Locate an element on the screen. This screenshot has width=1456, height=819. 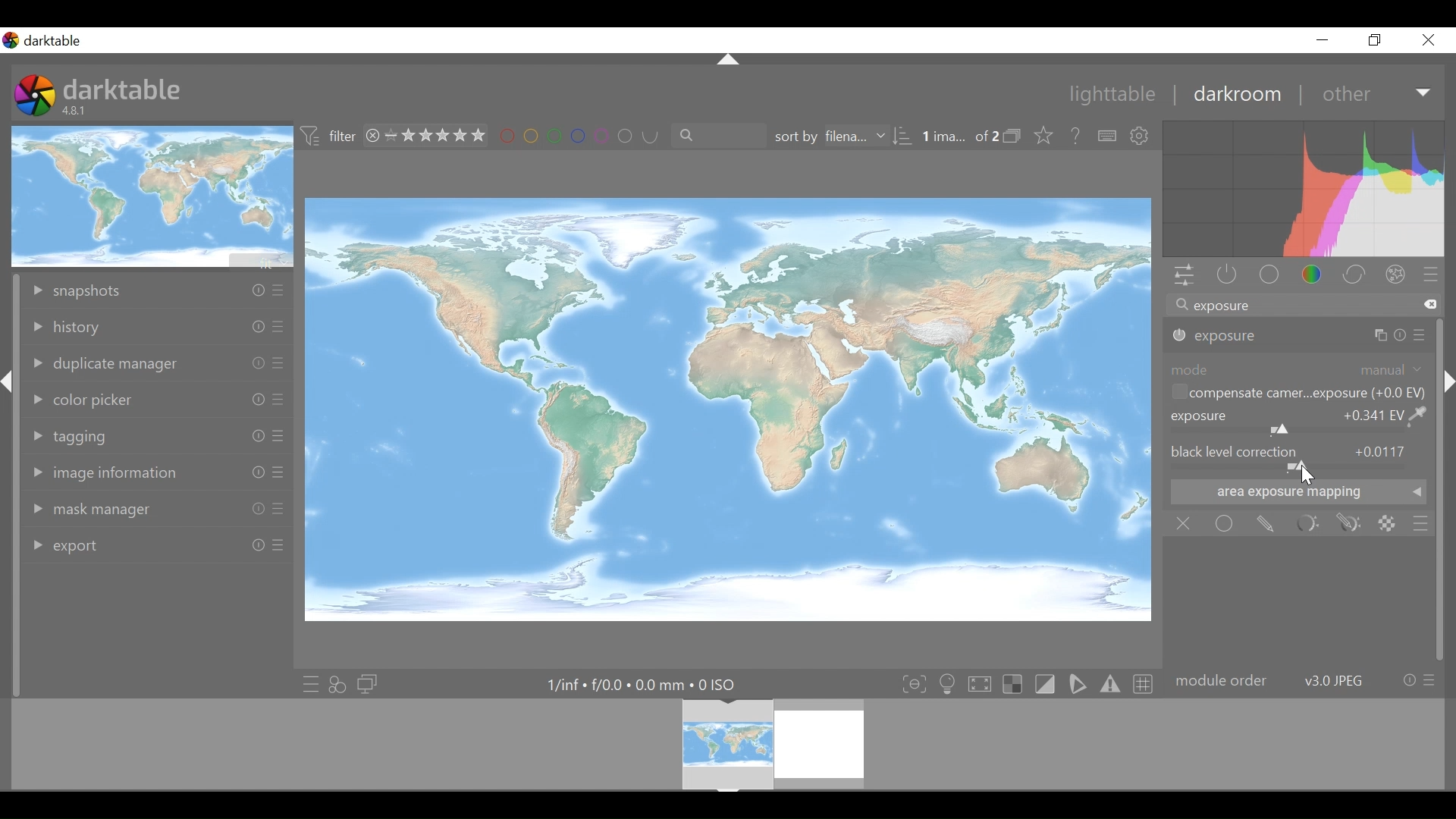
Image 1 out of 2 selected is located at coordinates (959, 135).